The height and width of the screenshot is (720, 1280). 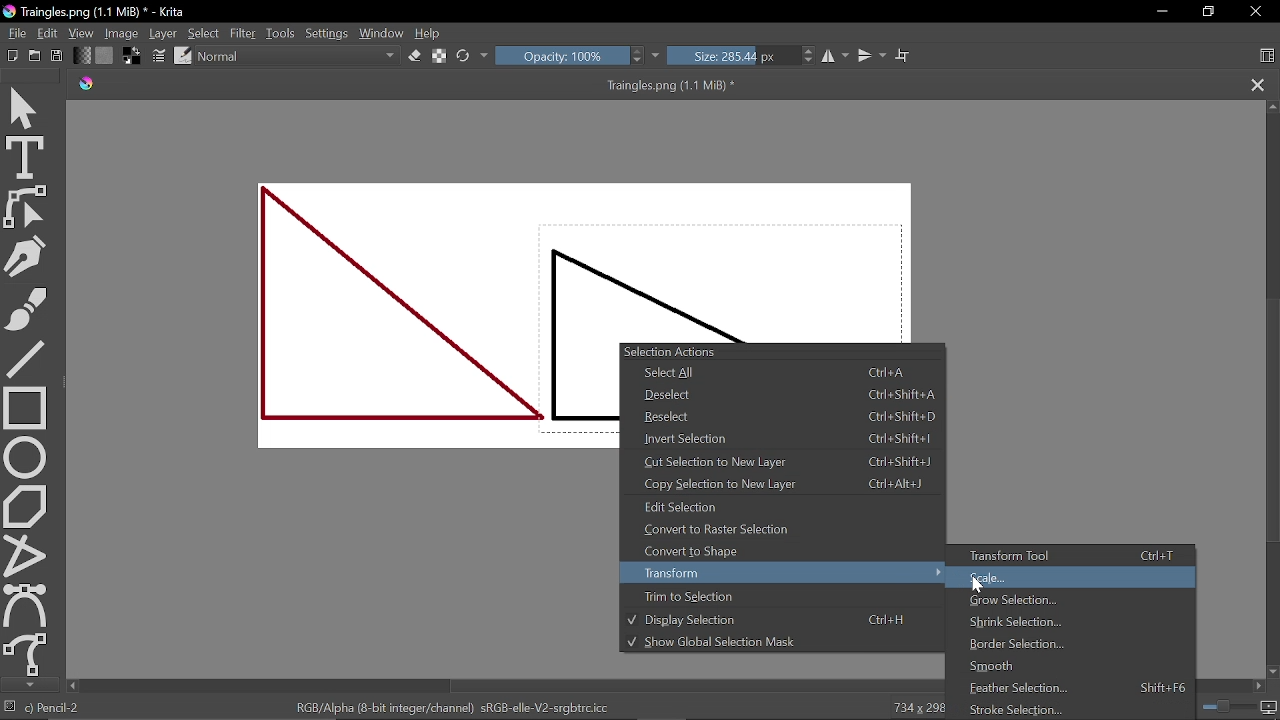 What do you see at coordinates (785, 438) in the screenshot?
I see `Invert selection` at bounding box center [785, 438].